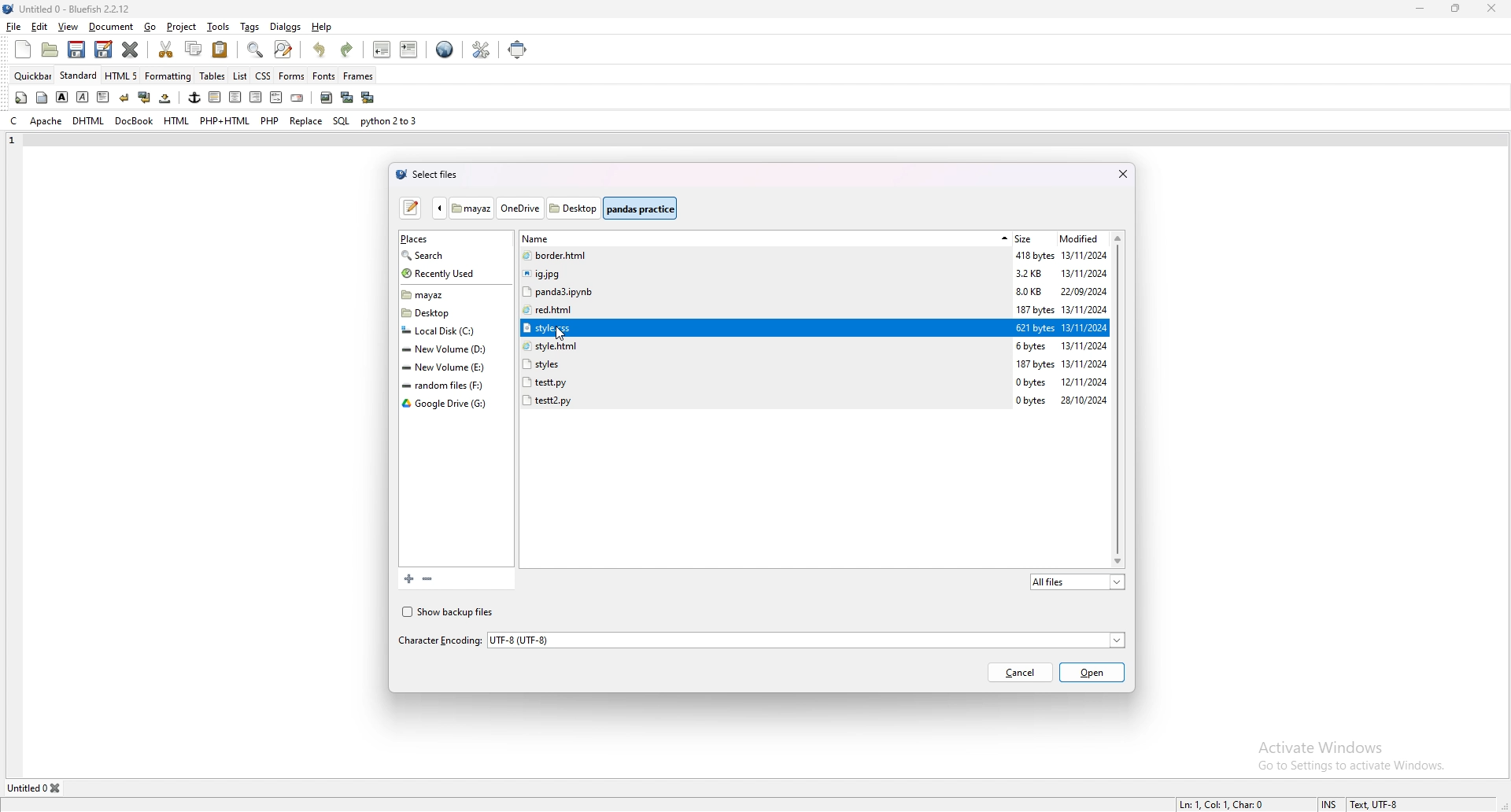 Image resolution: width=1511 pixels, height=812 pixels. What do you see at coordinates (250, 26) in the screenshot?
I see `tags` at bounding box center [250, 26].